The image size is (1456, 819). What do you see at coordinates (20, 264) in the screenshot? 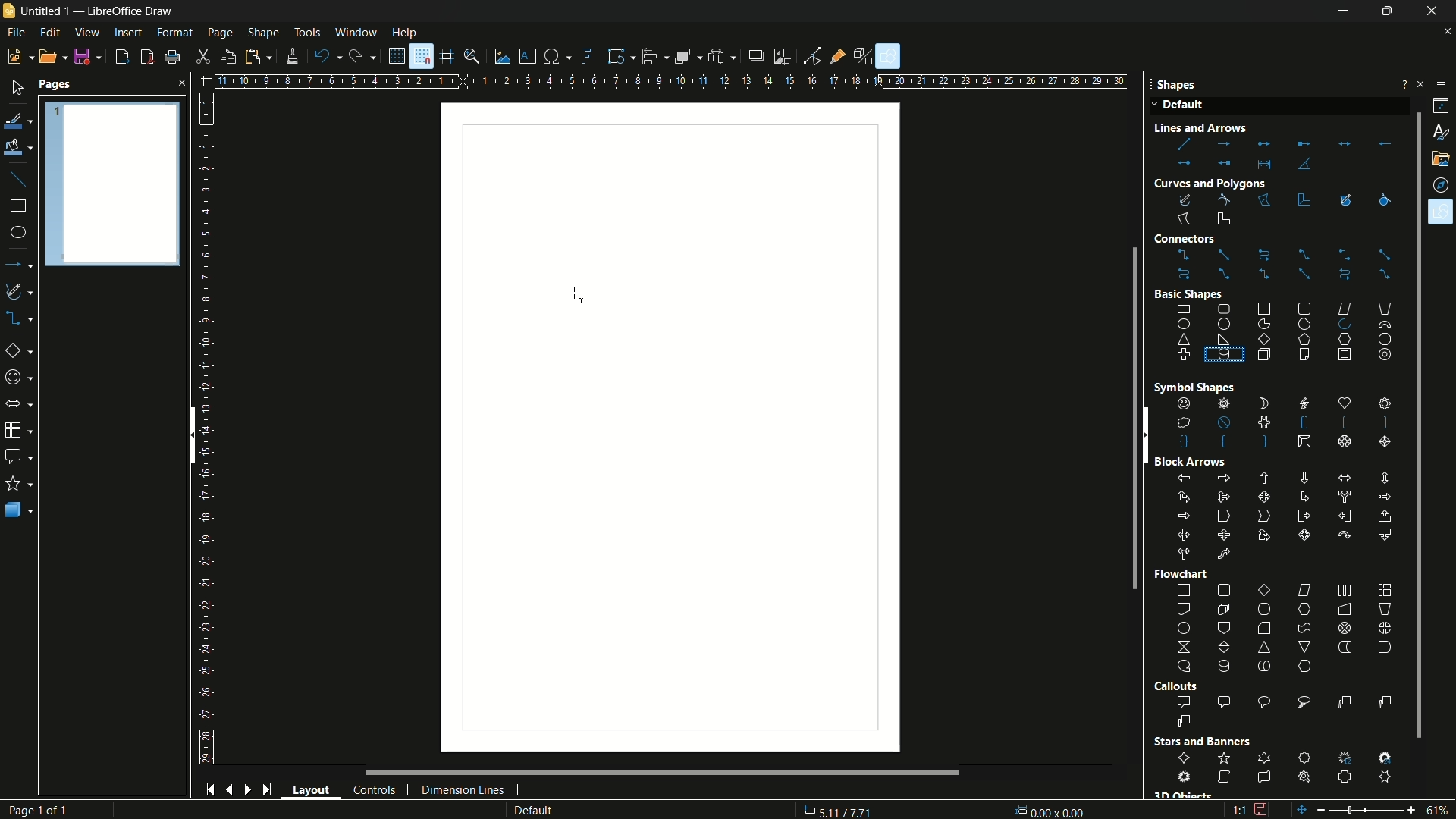
I see `lines and arrows` at bounding box center [20, 264].